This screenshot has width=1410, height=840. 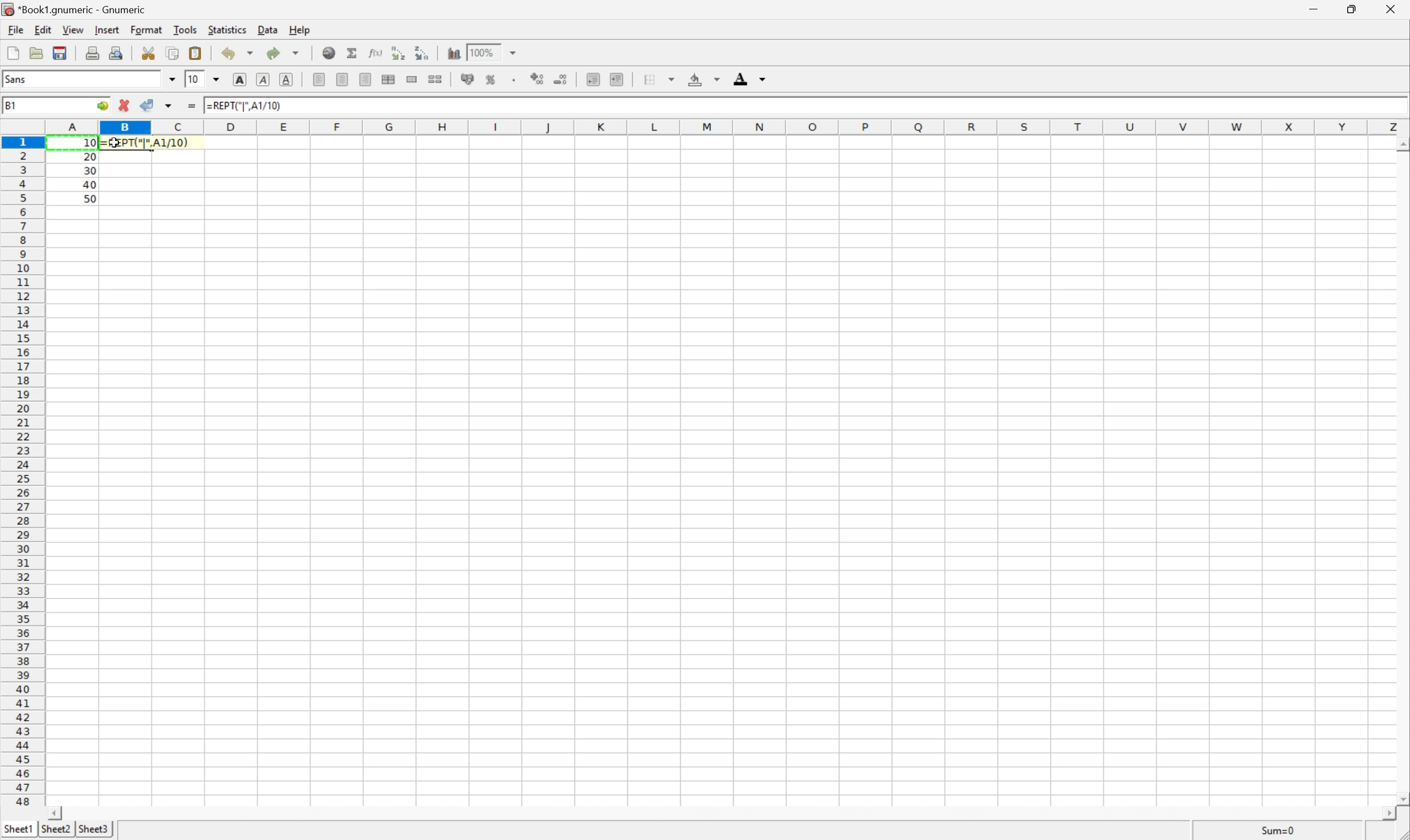 I want to click on View, so click(x=72, y=29).